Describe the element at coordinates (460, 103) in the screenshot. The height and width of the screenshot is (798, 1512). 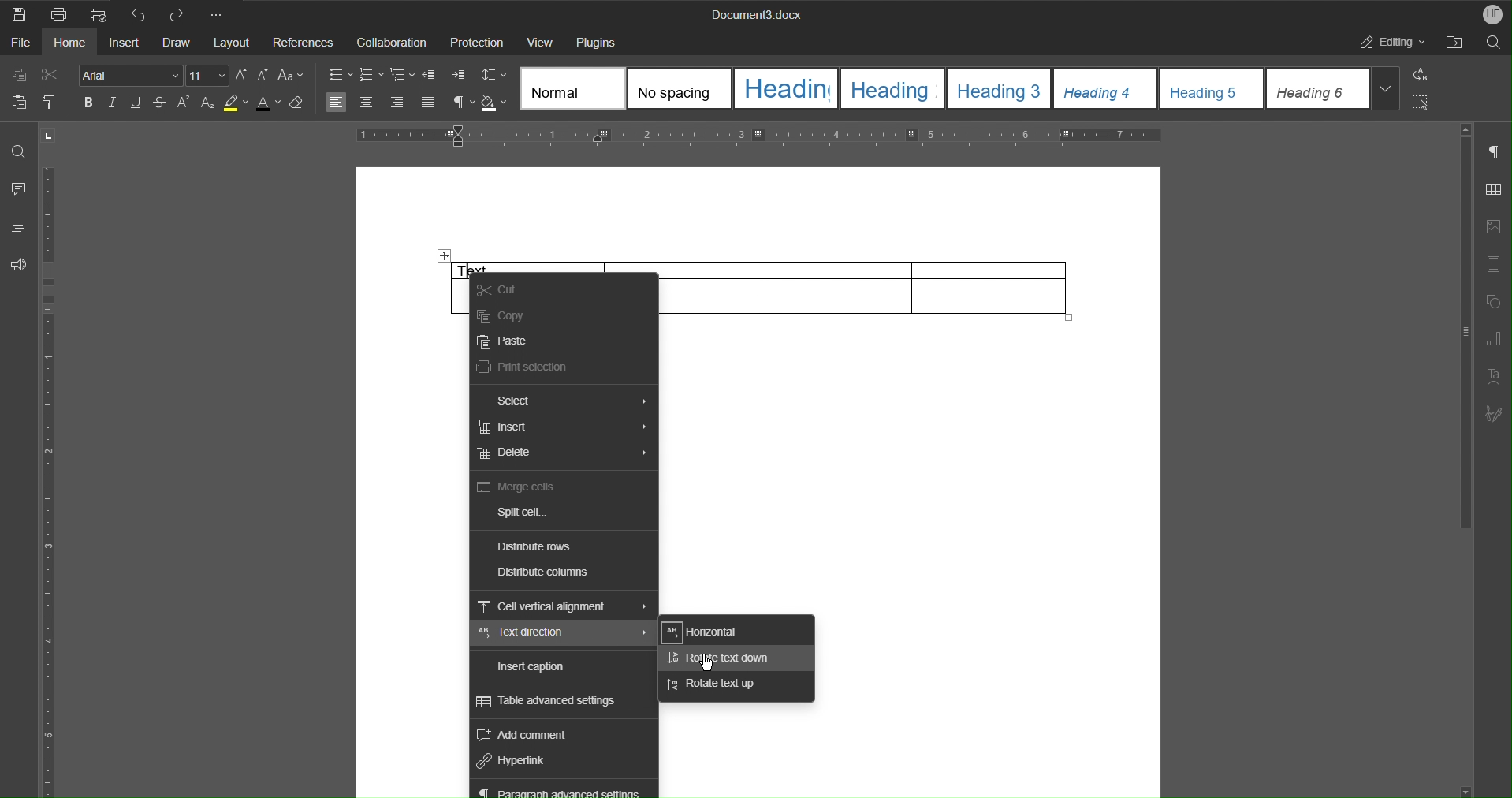
I see `Nonprinting characters` at that location.